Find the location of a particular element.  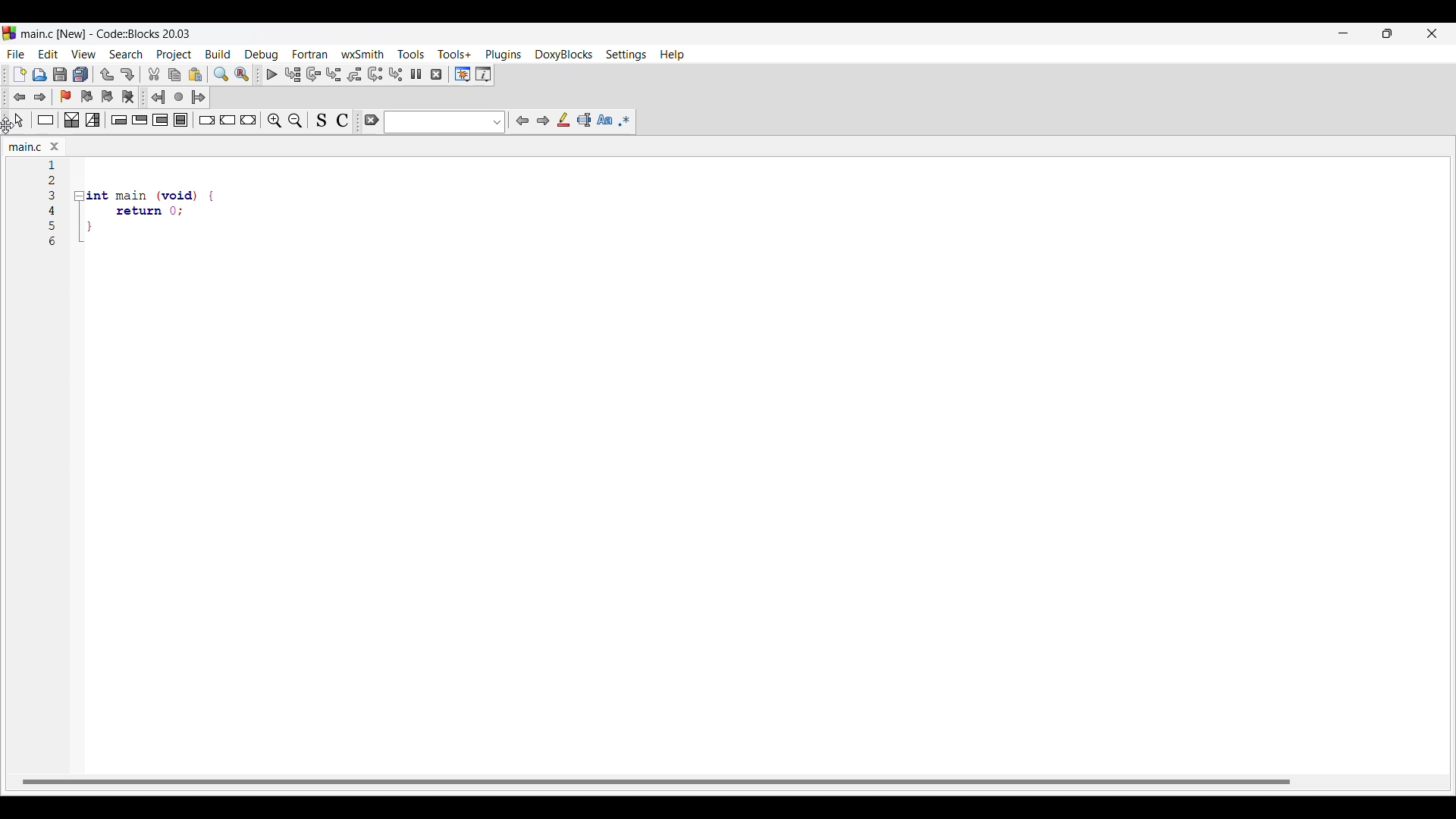

Fortran menu is located at coordinates (309, 54).